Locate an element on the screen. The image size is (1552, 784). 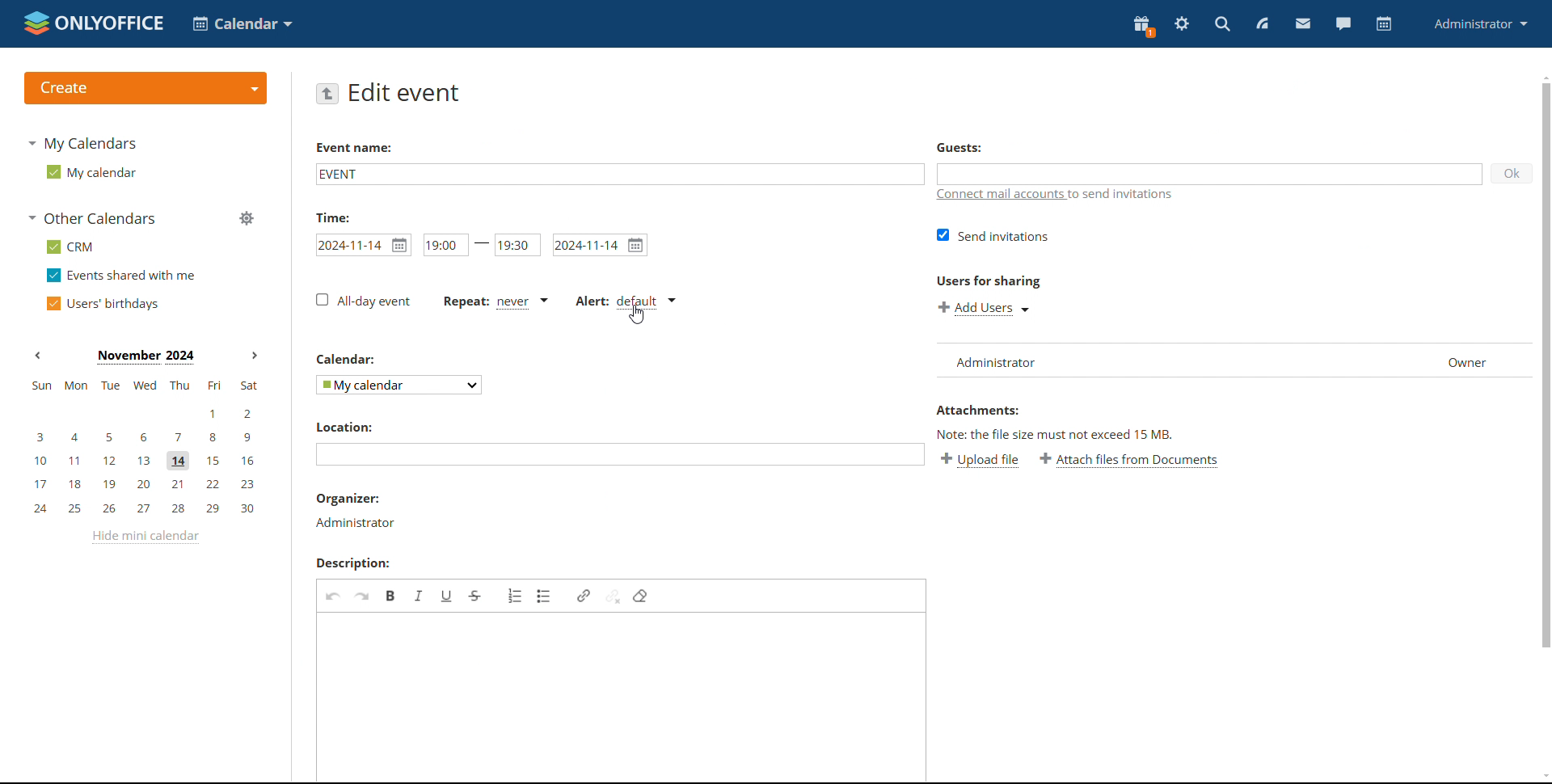
remove format is located at coordinates (641, 596).